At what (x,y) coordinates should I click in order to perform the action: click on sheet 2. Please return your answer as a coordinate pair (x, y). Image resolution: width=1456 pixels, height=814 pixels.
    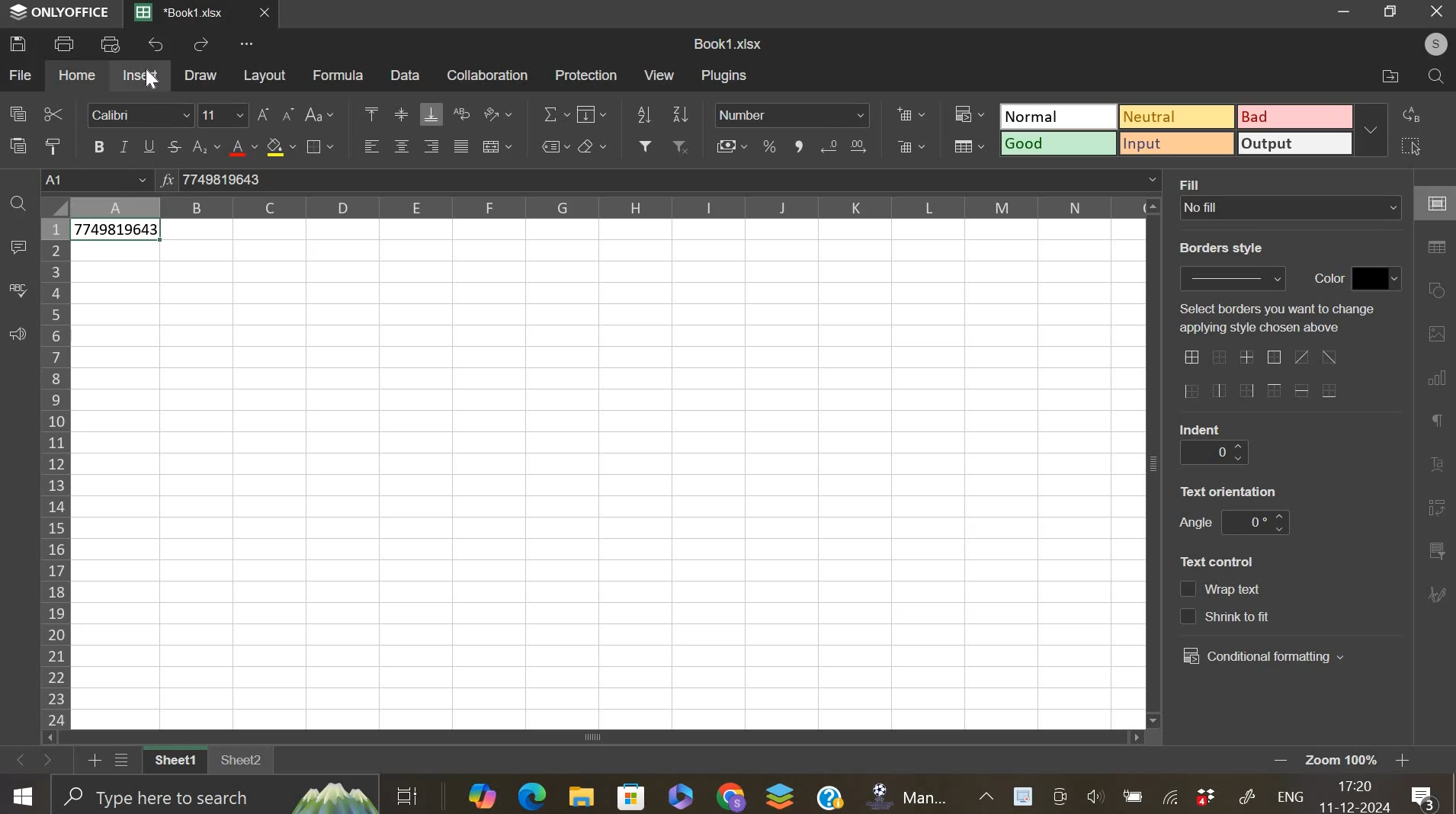
    Looking at the image, I should click on (242, 765).